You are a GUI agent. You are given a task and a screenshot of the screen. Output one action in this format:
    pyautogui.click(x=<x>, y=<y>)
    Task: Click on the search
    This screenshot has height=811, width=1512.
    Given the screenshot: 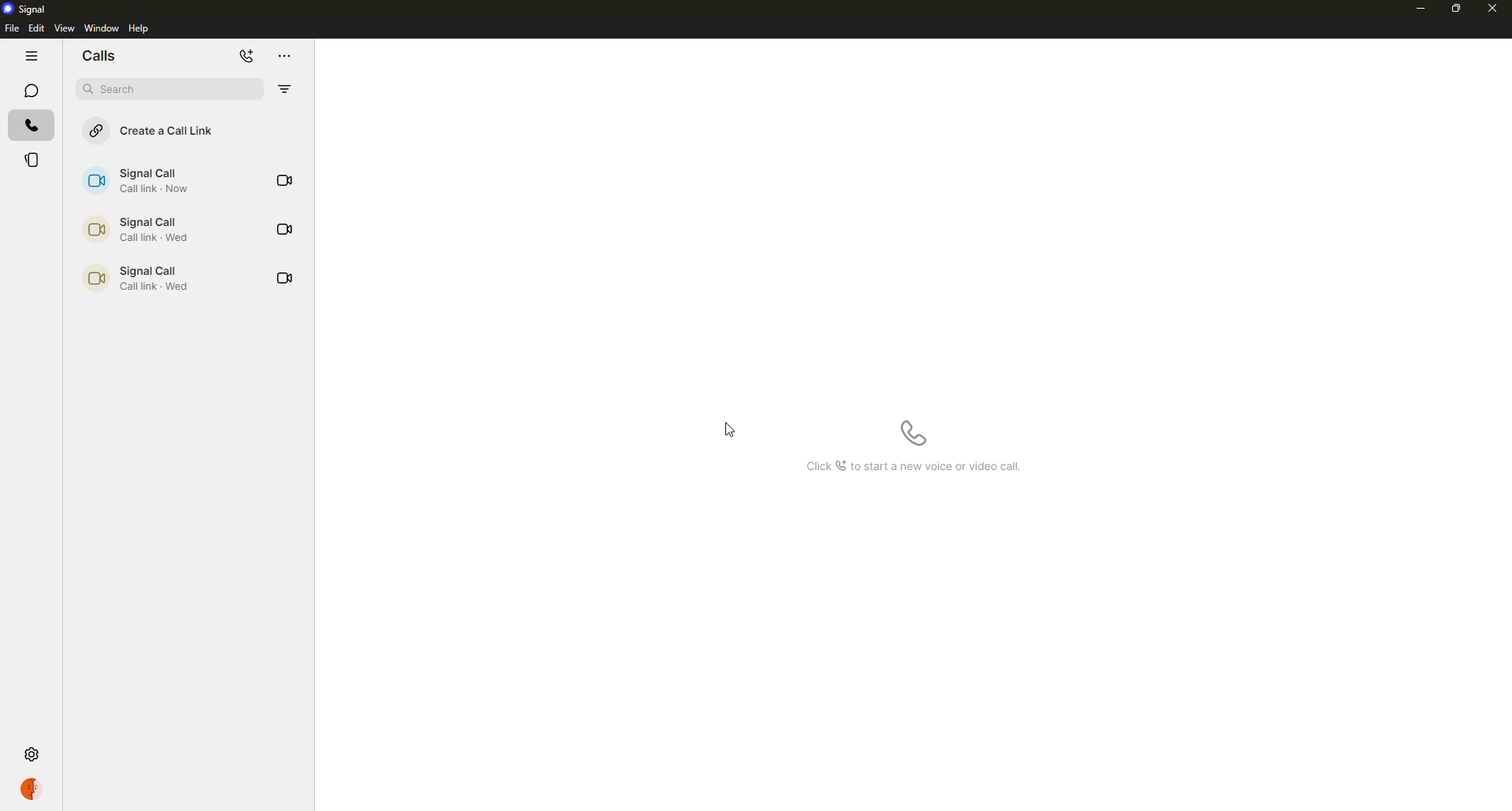 What is the action you would take?
    pyautogui.click(x=168, y=90)
    